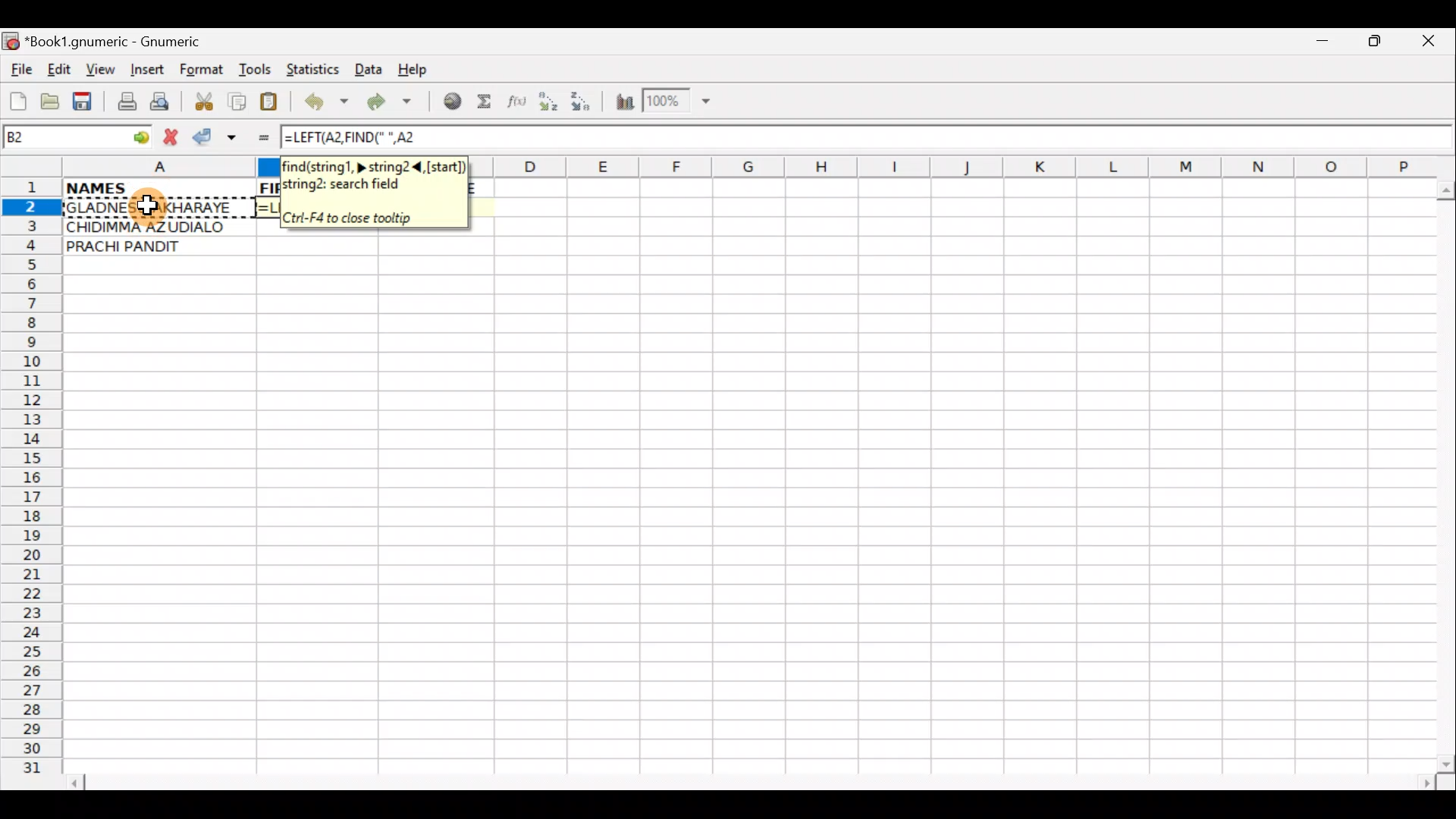  I want to click on Data, so click(368, 68).